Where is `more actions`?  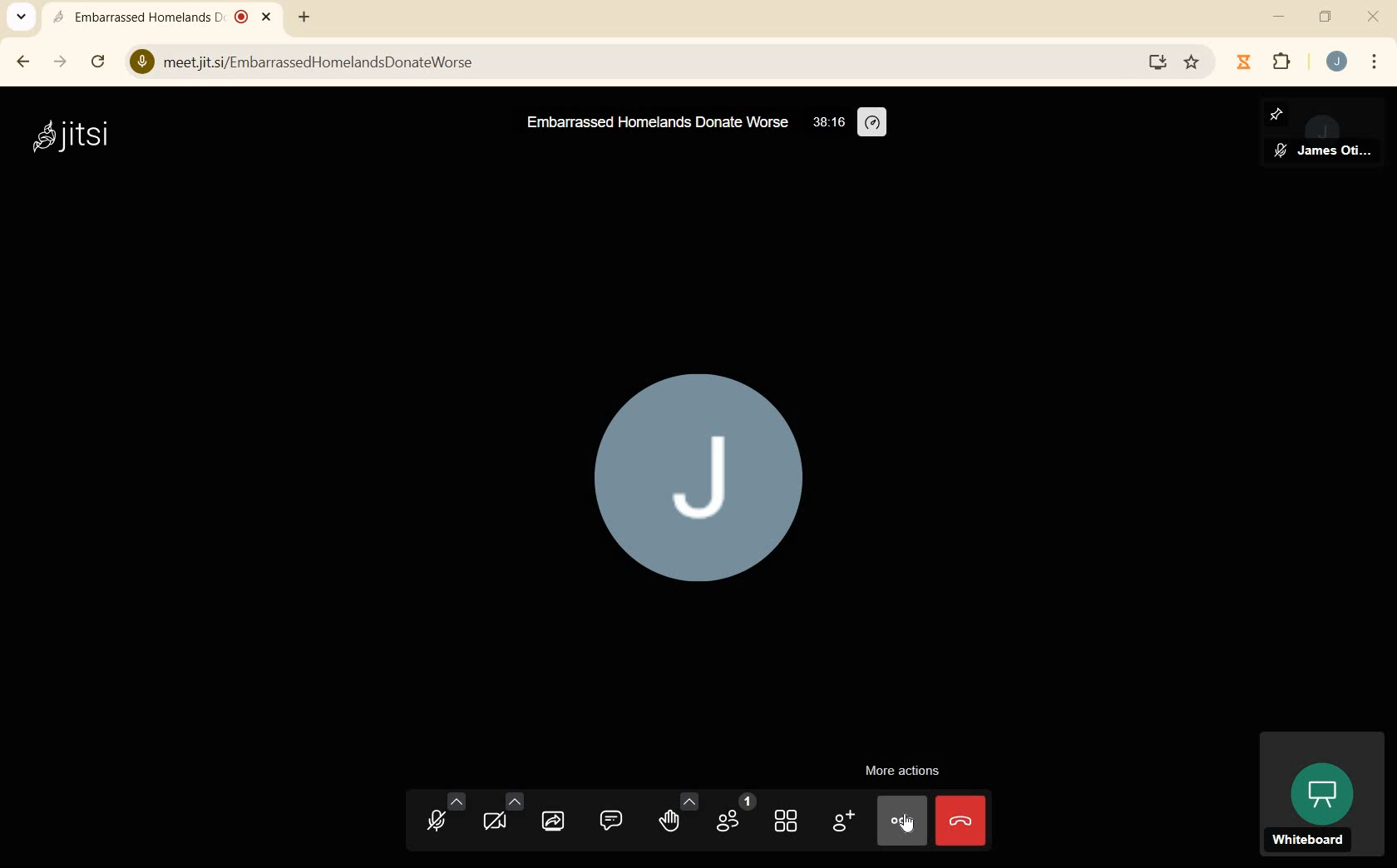 more actions is located at coordinates (902, 820).